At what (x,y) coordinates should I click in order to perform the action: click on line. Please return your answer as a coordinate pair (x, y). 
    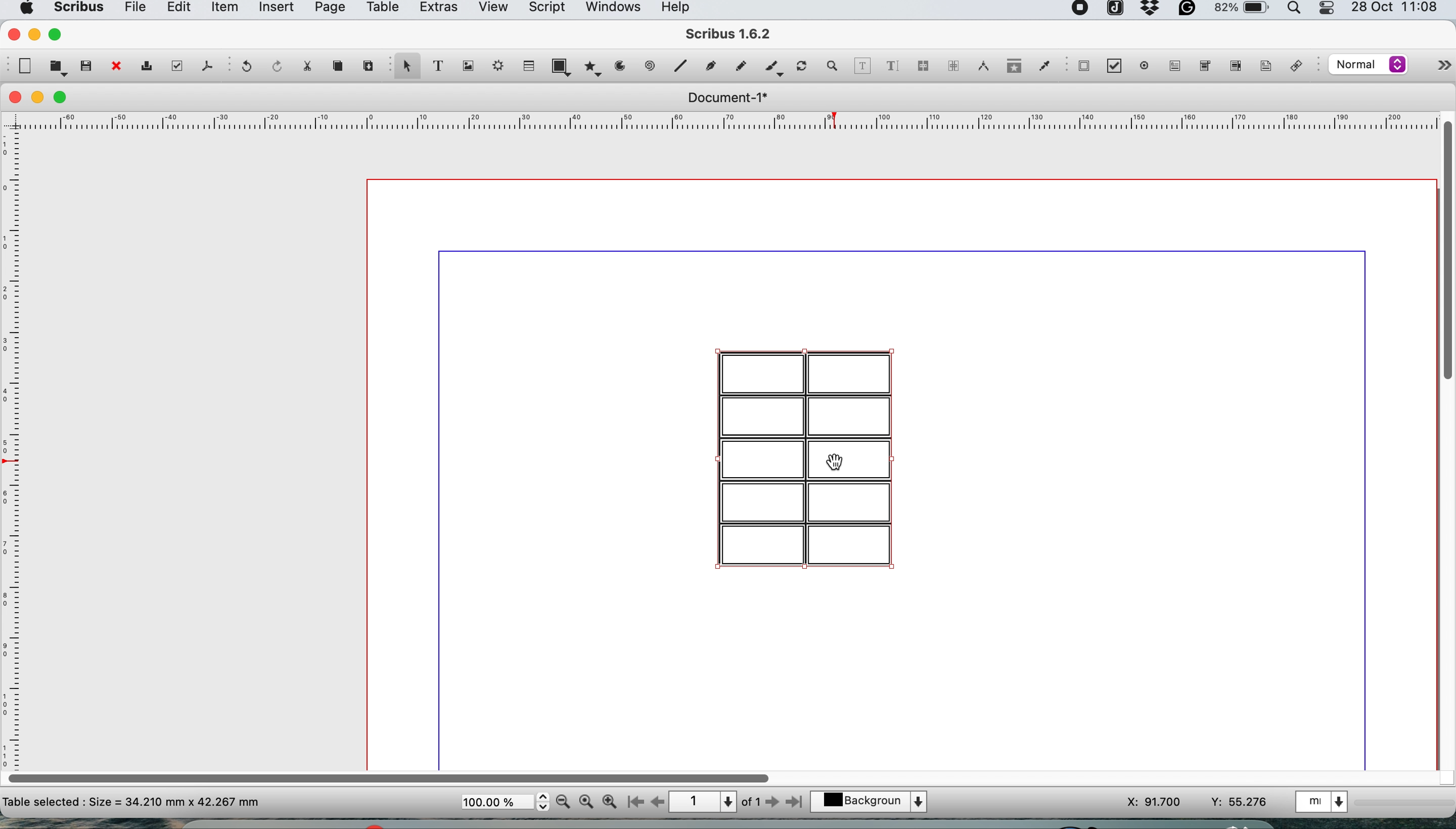
    Looking at the image, I should click on (679, 65).